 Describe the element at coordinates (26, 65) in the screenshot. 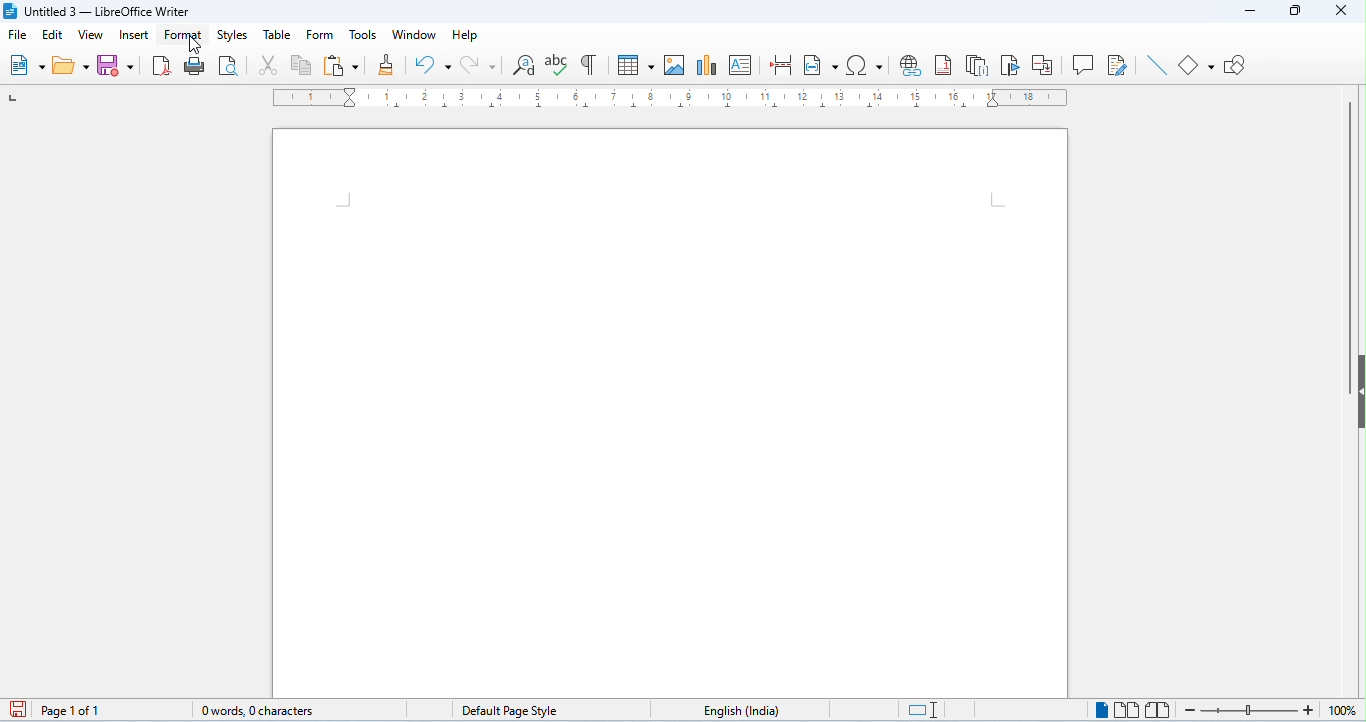

I see `new` at that location.